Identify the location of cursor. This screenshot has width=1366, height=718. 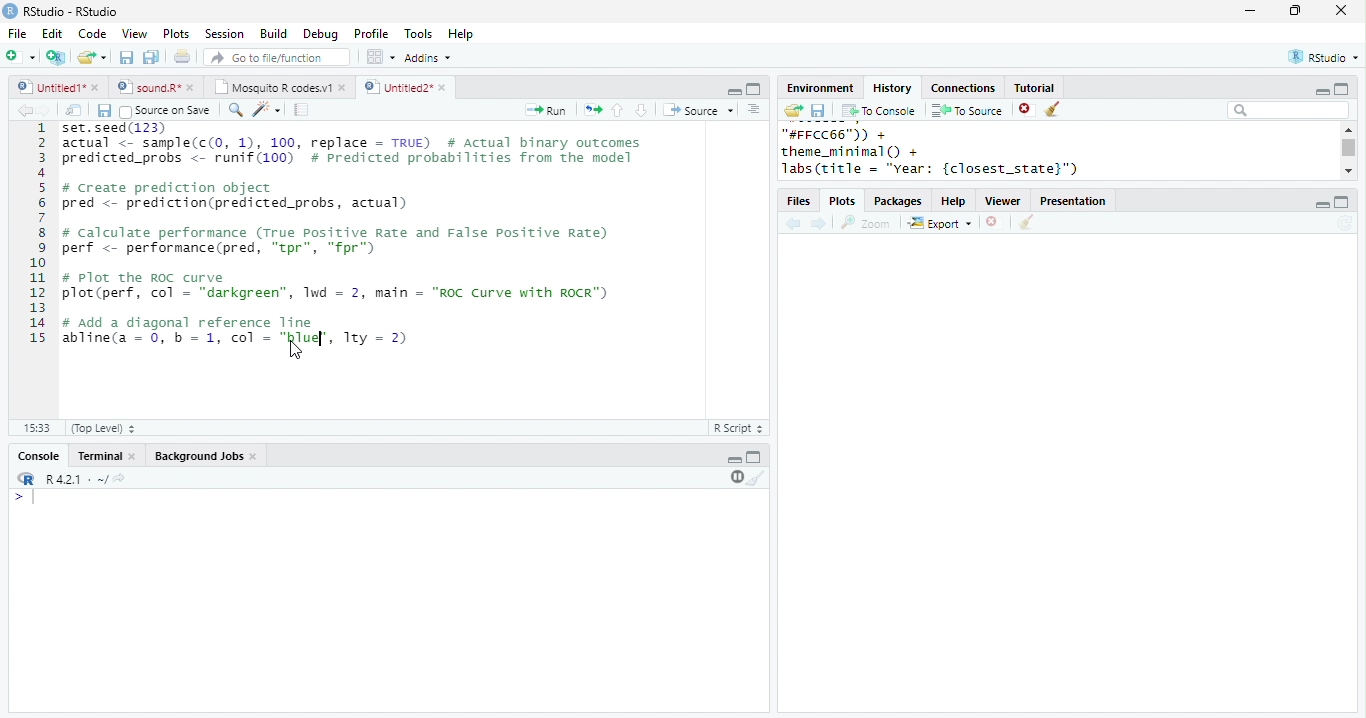
(295, 351).